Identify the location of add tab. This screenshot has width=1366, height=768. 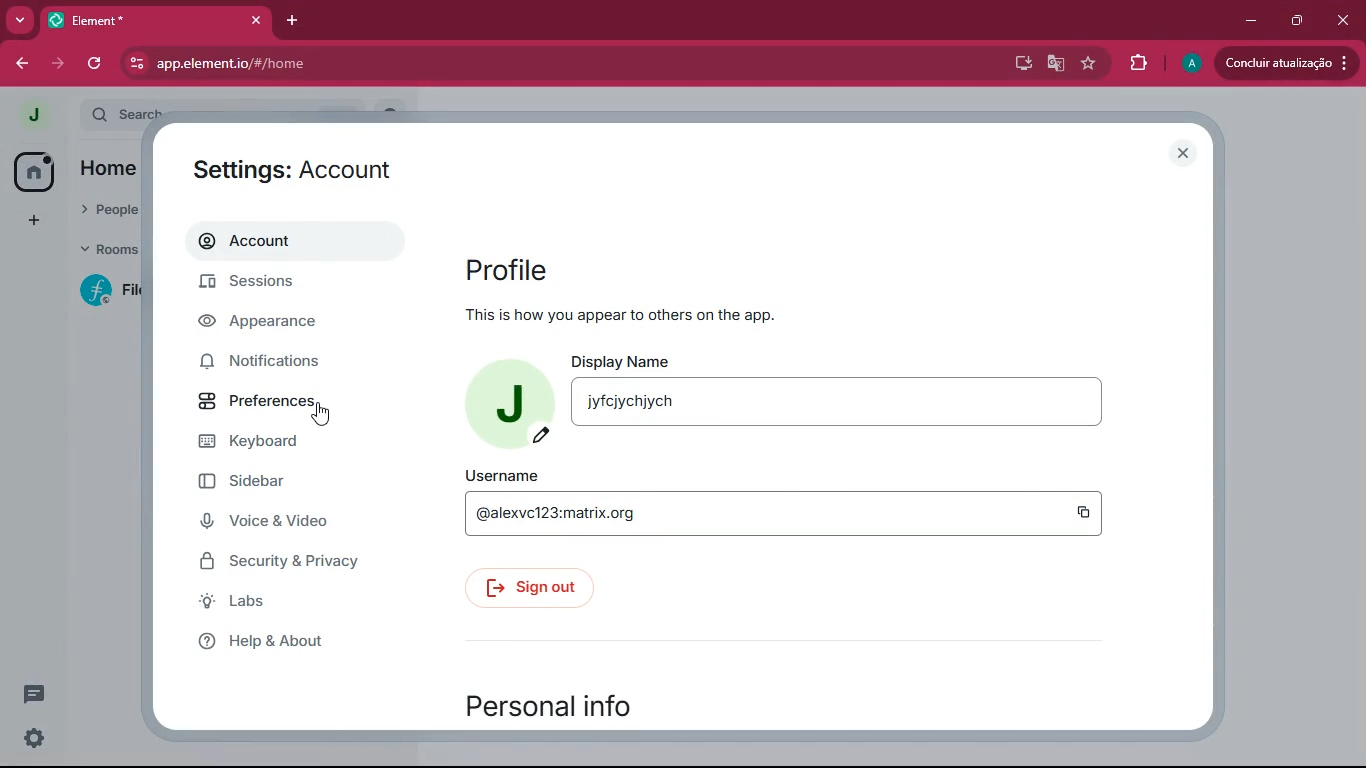
(296, 21).